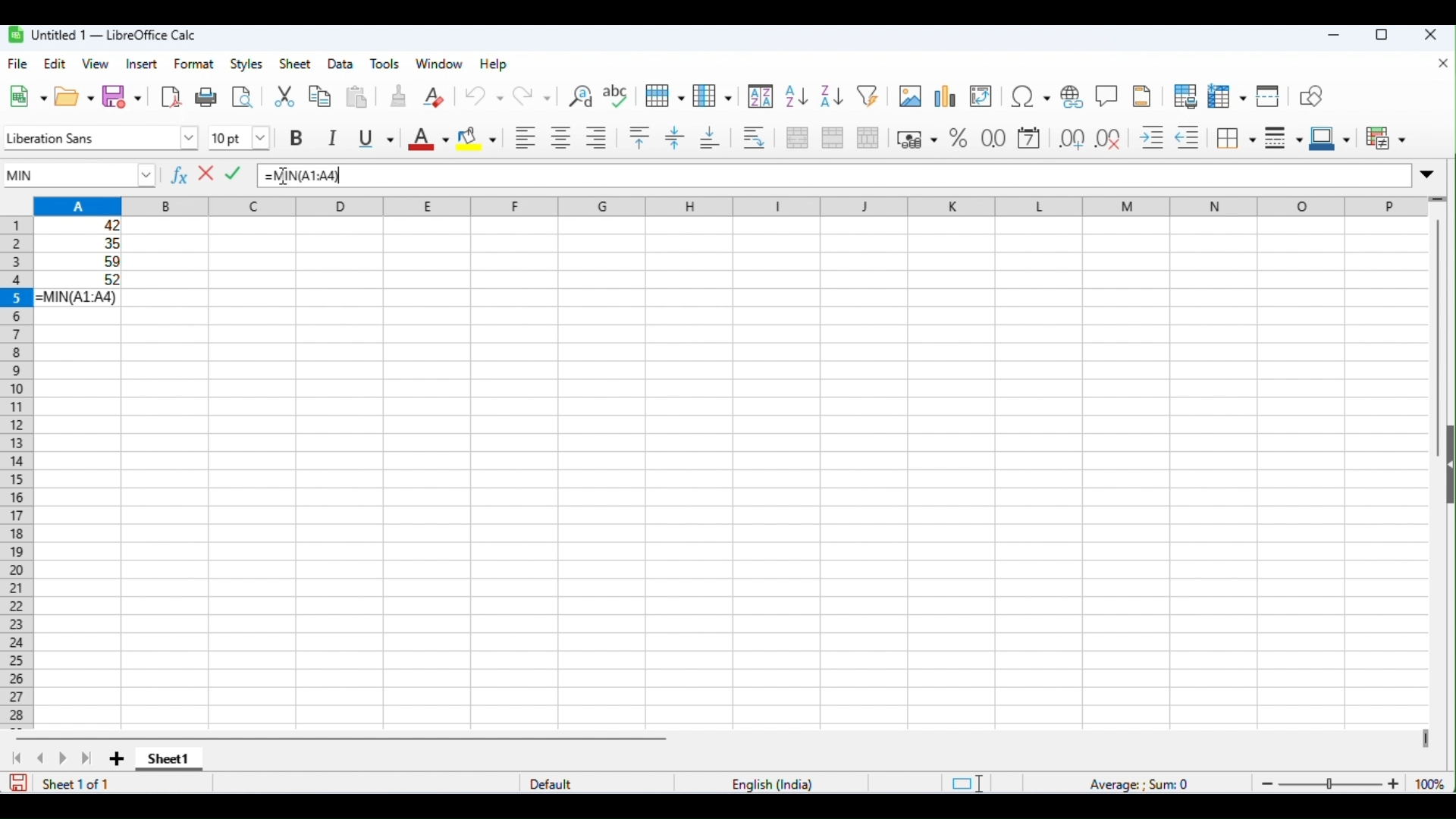  I want to click on add new sheet, so click(115, 760).